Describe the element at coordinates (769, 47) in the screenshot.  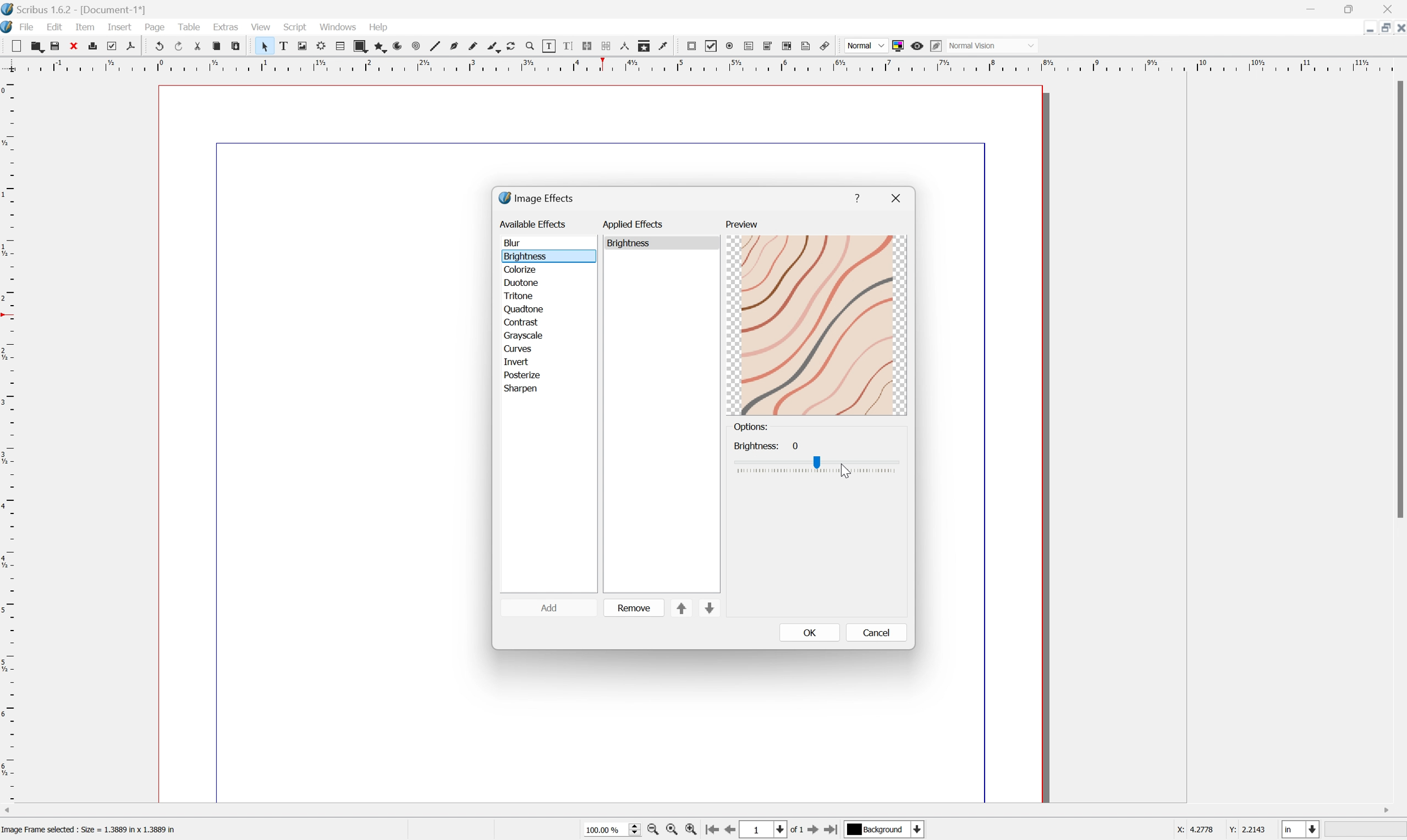
I see `PDF combo box` at that location.